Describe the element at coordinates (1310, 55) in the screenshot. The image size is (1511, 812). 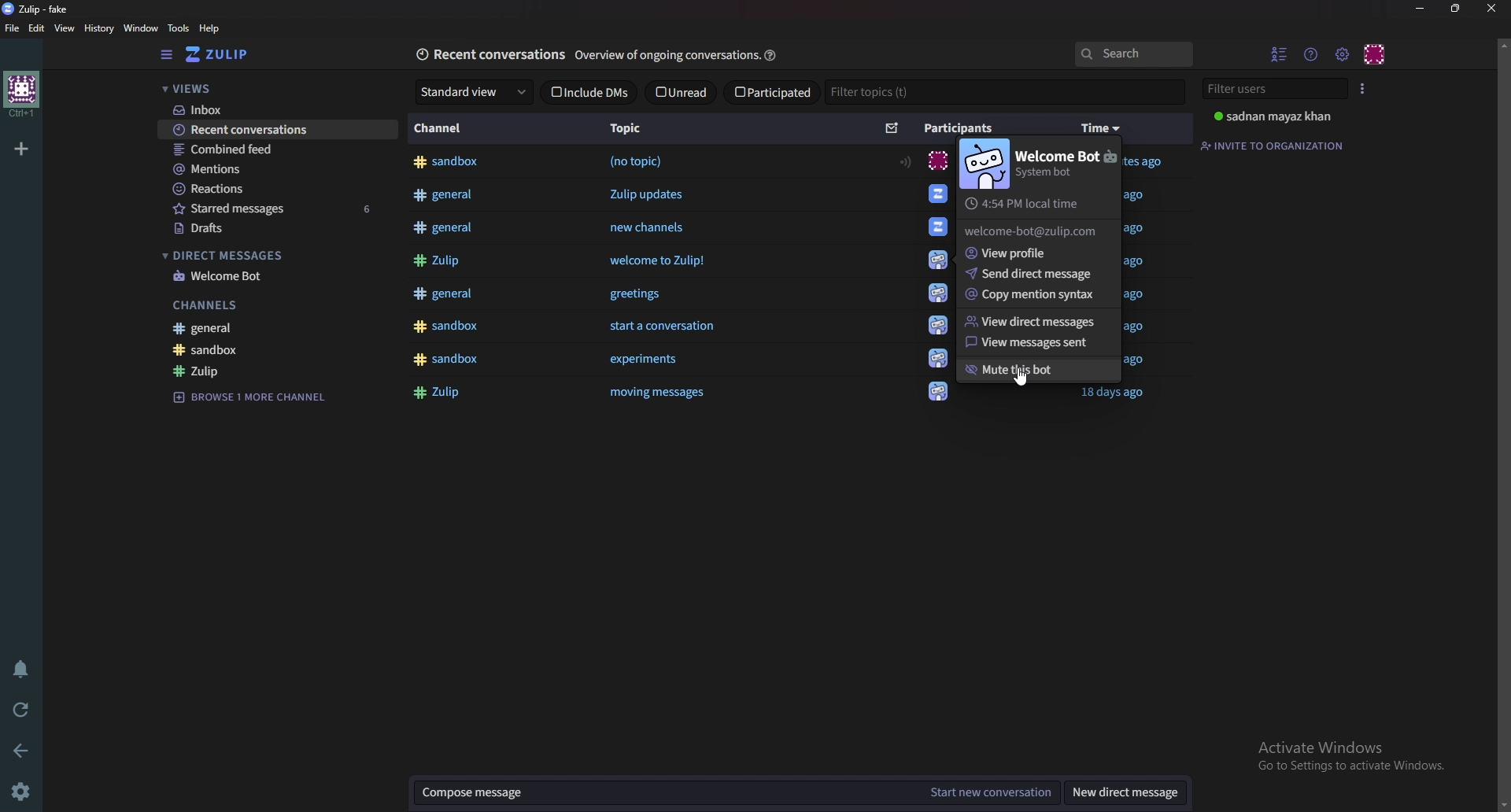
I see `help menu` at that location.